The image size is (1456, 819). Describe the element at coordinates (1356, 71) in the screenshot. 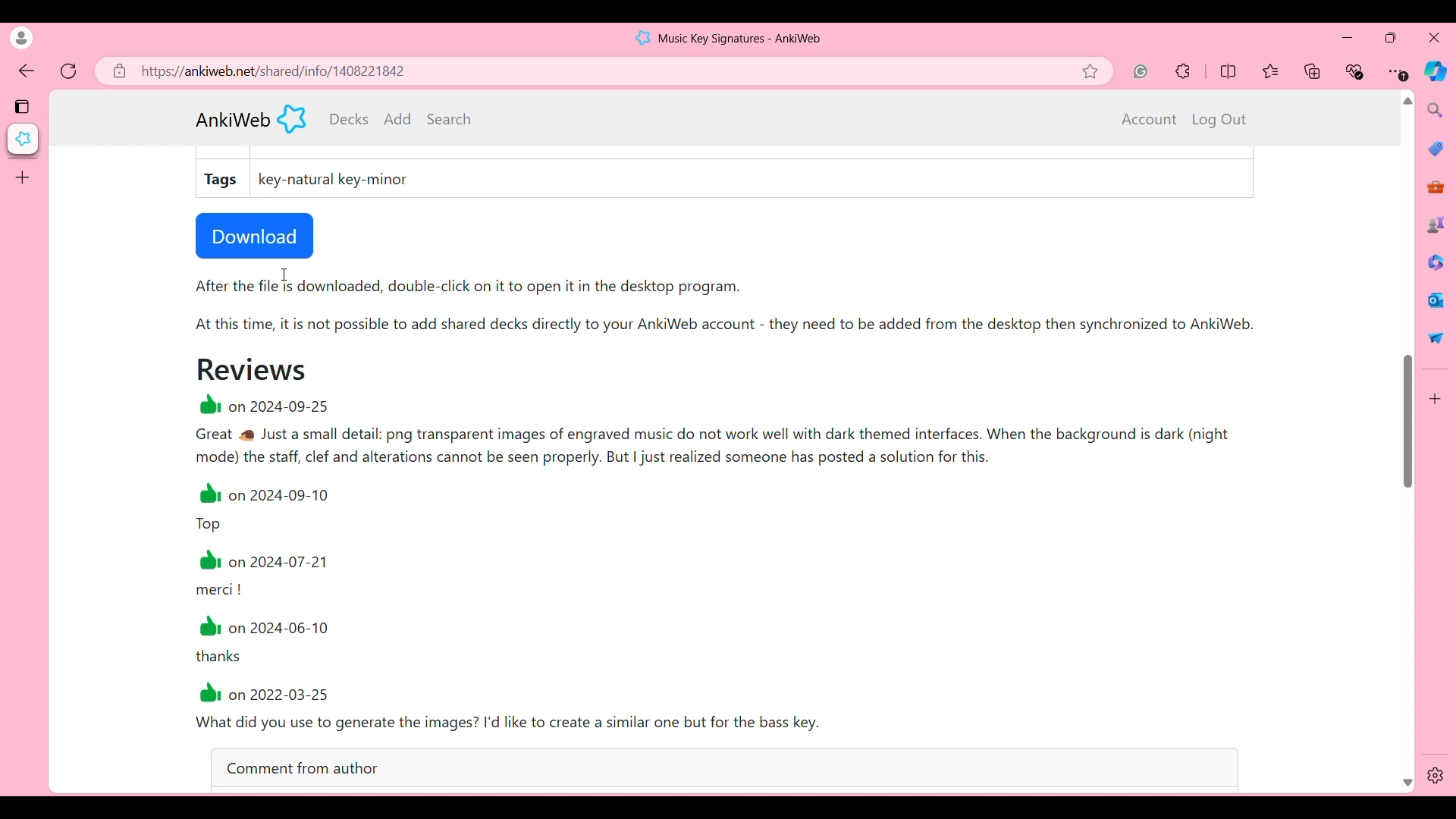

I see `Browser essentials` at that location.